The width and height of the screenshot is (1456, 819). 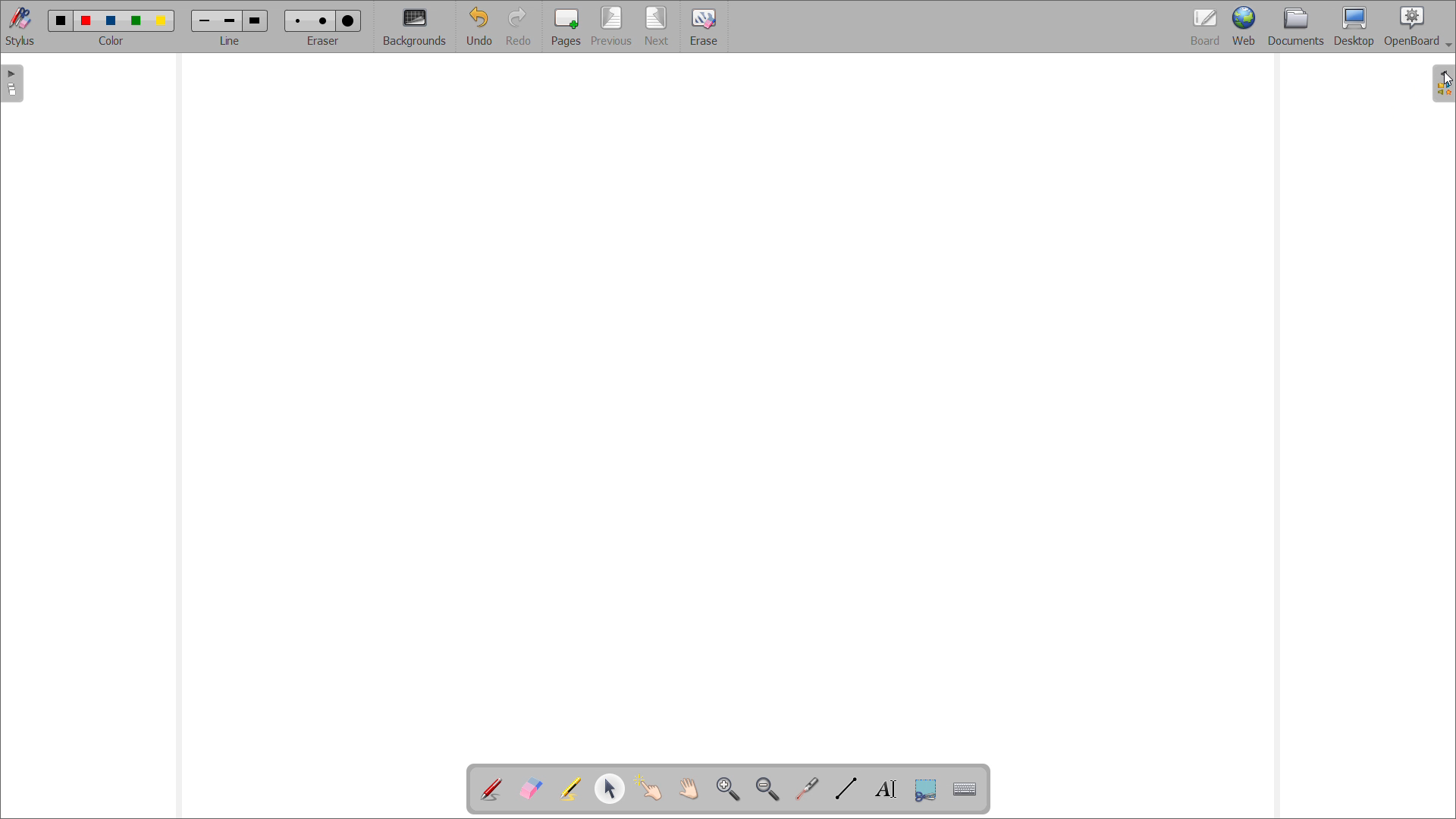 What do you see at coordinates (416, 27) in the screenshot?
I see `backgrounds` at bounding box center [416, 27].